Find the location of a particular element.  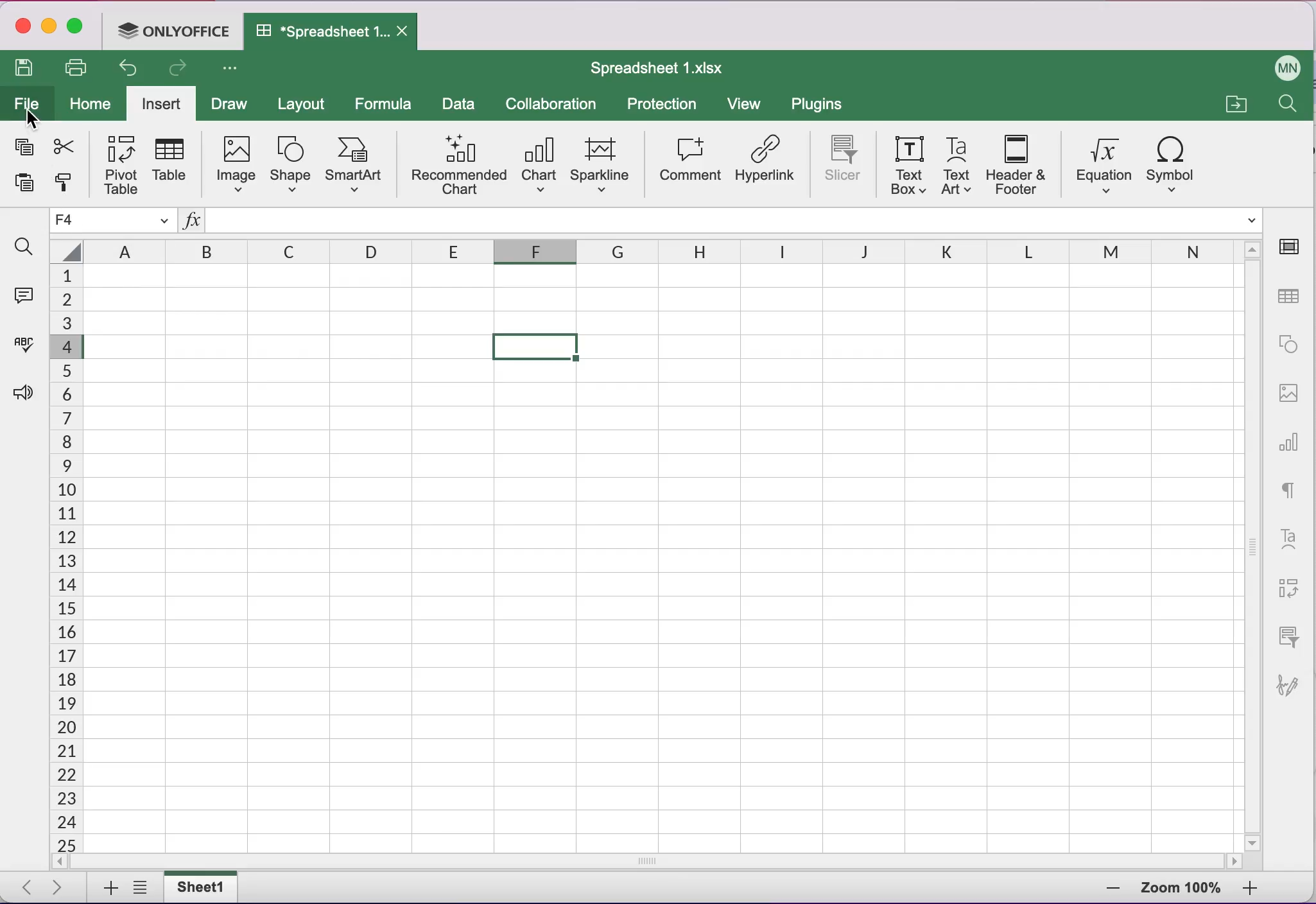

user is located at coordinates (1286, 67).